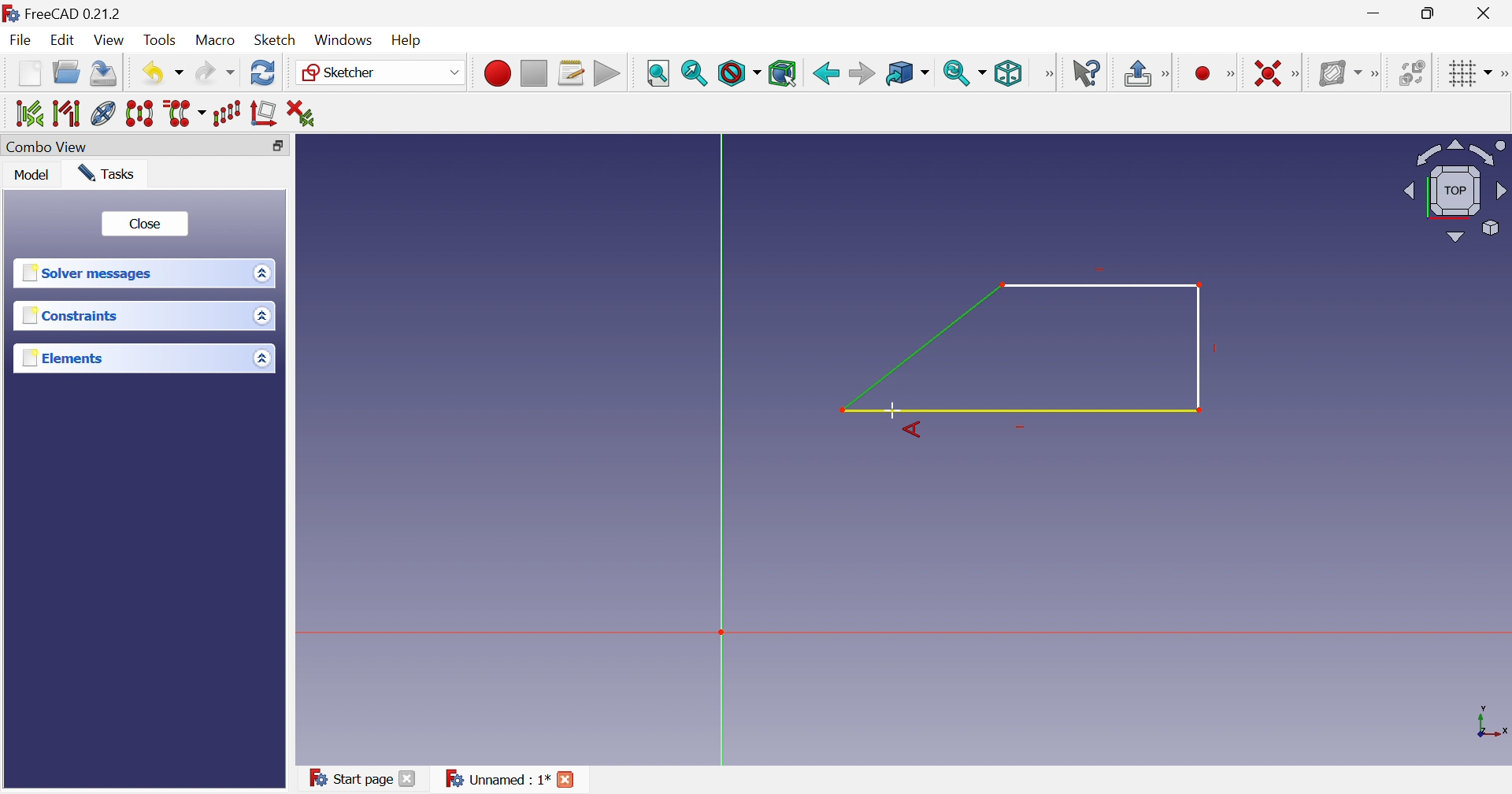 This screenshot has width=1512, height=794. I want to click on More, so click(1503, 72).